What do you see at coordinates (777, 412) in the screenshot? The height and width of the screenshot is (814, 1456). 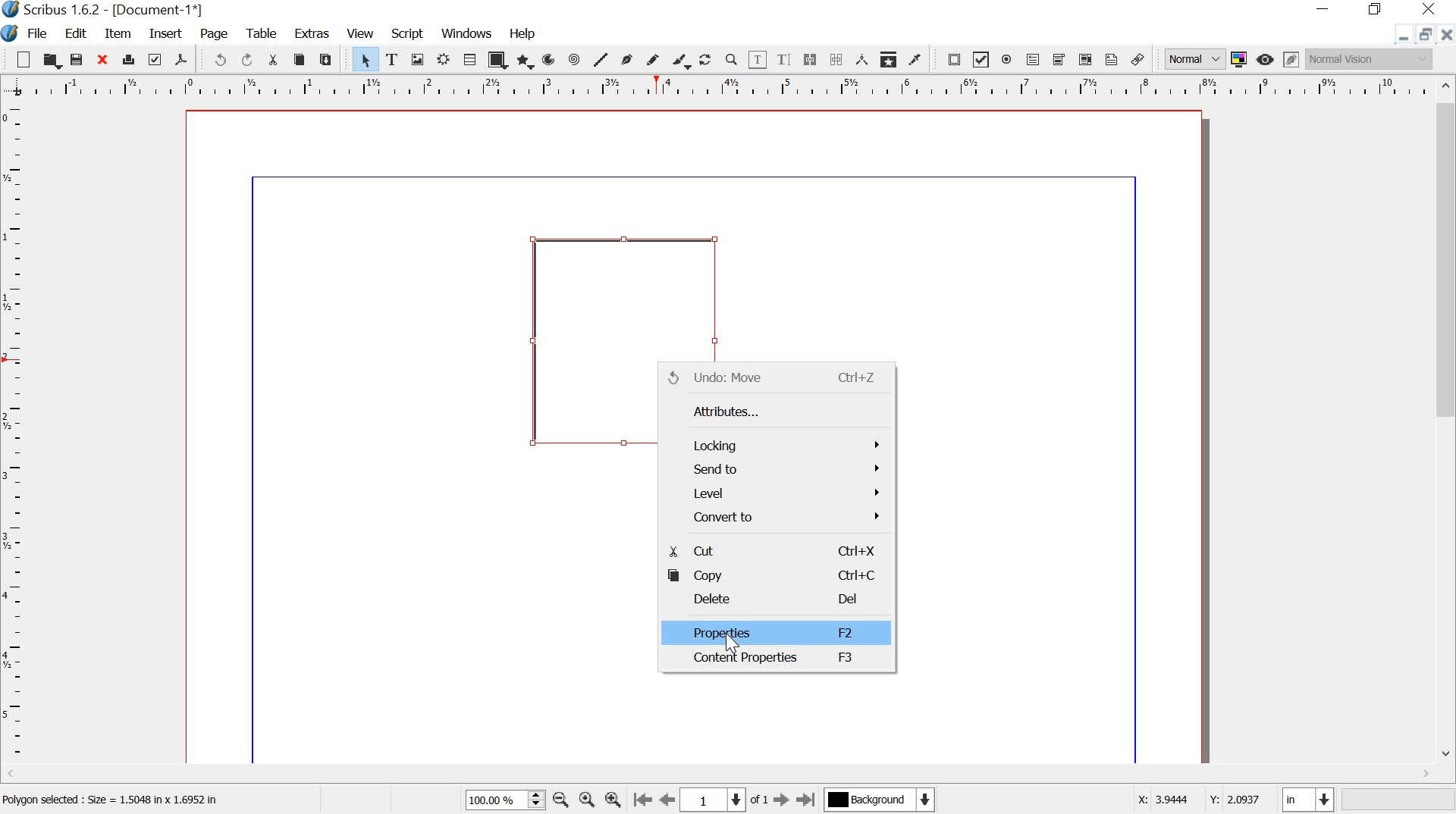 I see `attributes` at bounding box center [777, 412].